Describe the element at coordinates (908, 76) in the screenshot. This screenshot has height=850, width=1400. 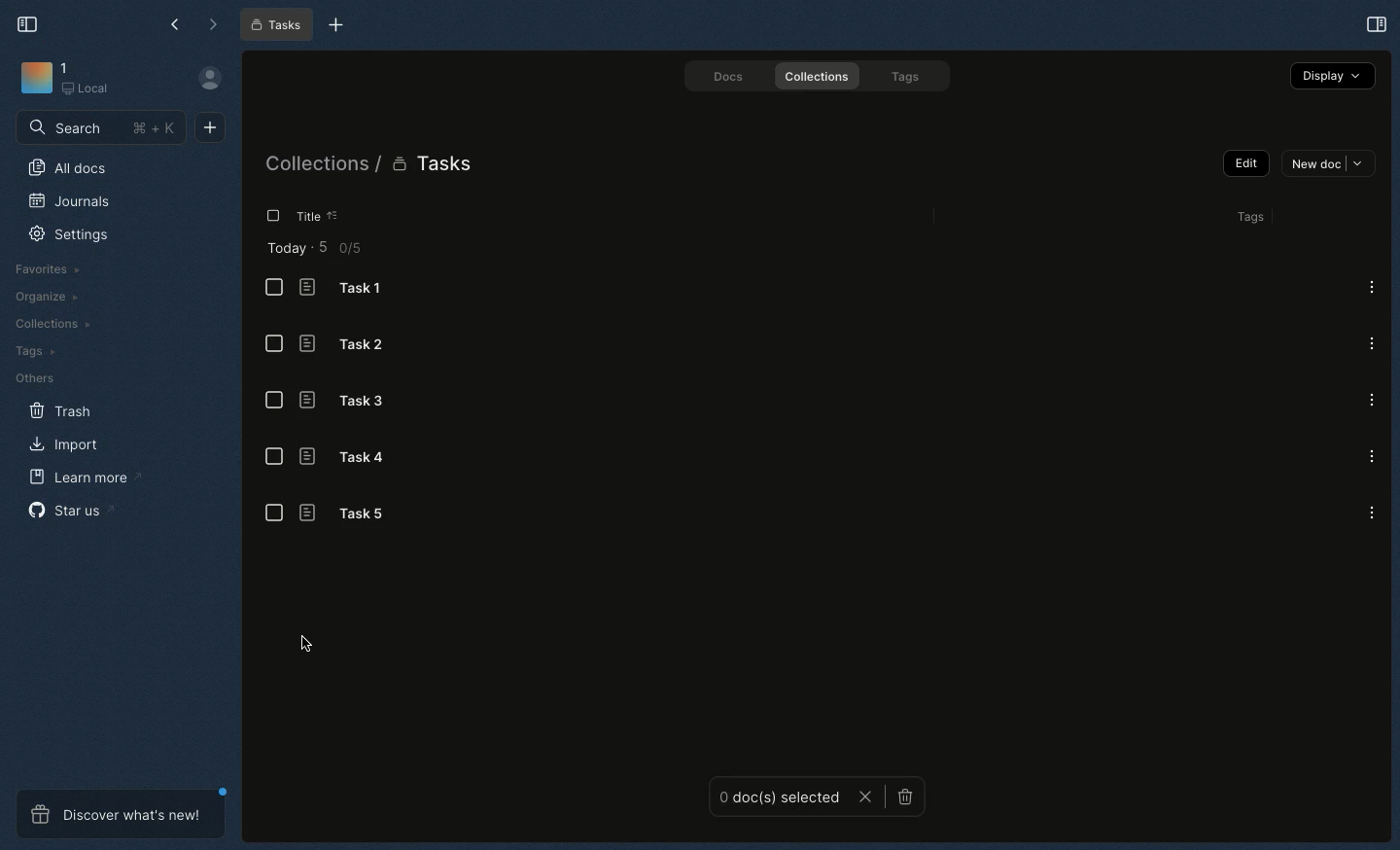
I see `Tags` at that location.